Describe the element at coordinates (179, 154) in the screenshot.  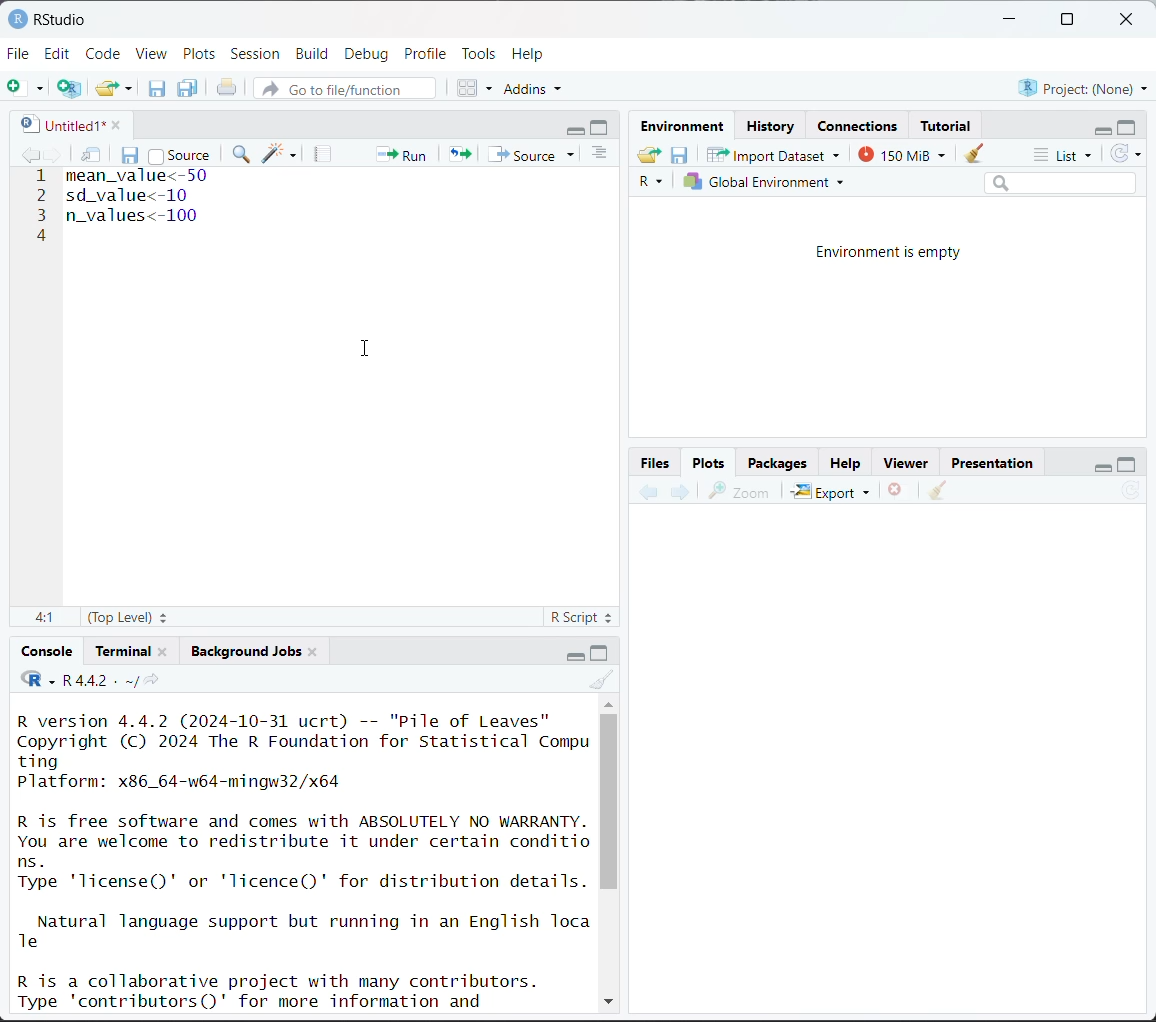
I see `source` at that location.